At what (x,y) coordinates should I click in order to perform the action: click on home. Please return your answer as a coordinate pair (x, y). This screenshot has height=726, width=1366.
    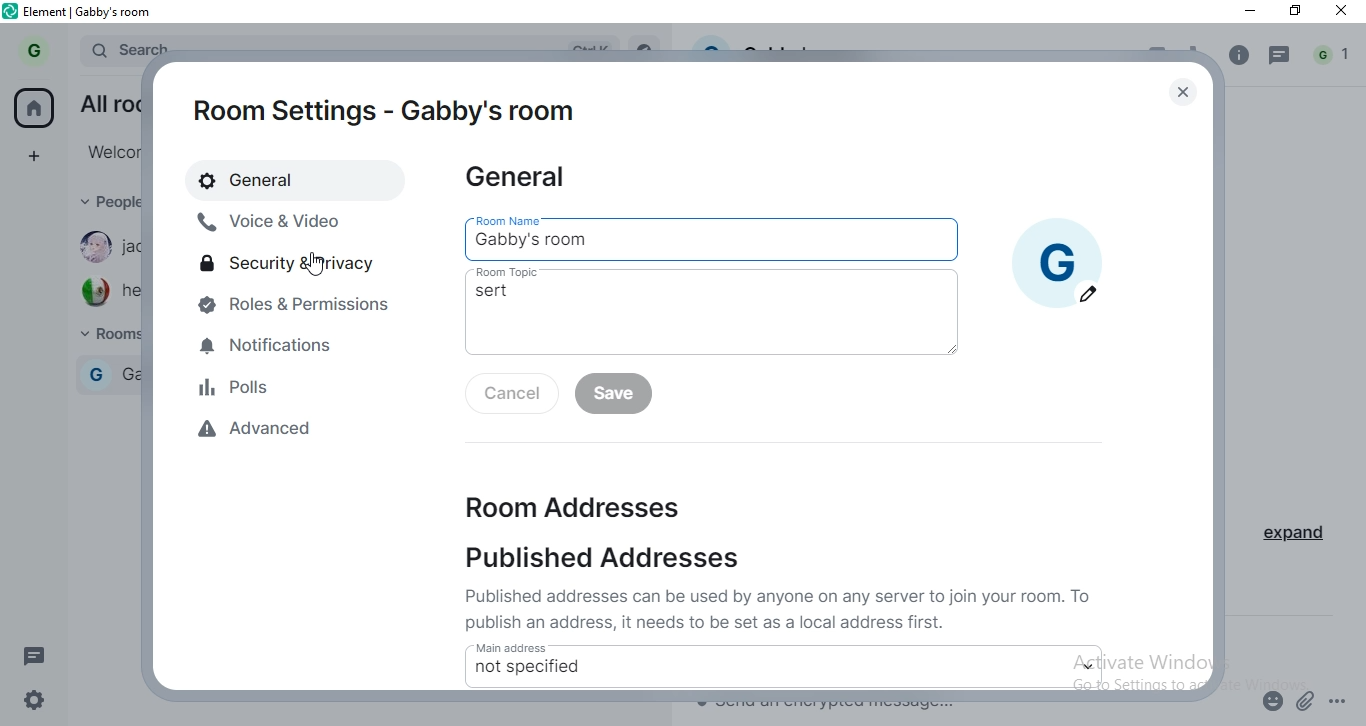
    Looking at the image, I should click on (33, 107).